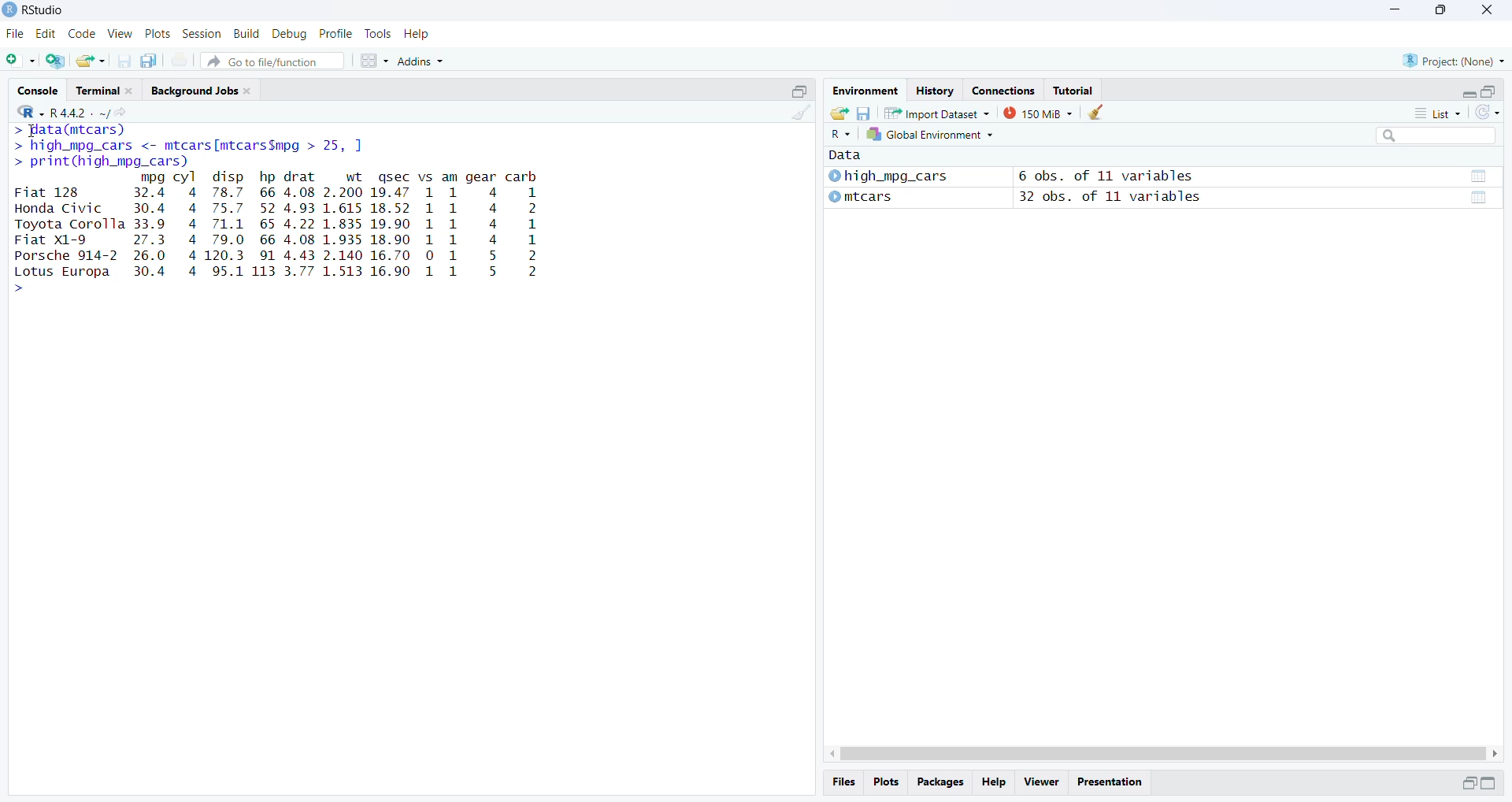 The image size is (1512, 802). What do you see at coordinates (1488, 113) in the screenshot?
I see `refresh` at bounding box center [1488, 113].